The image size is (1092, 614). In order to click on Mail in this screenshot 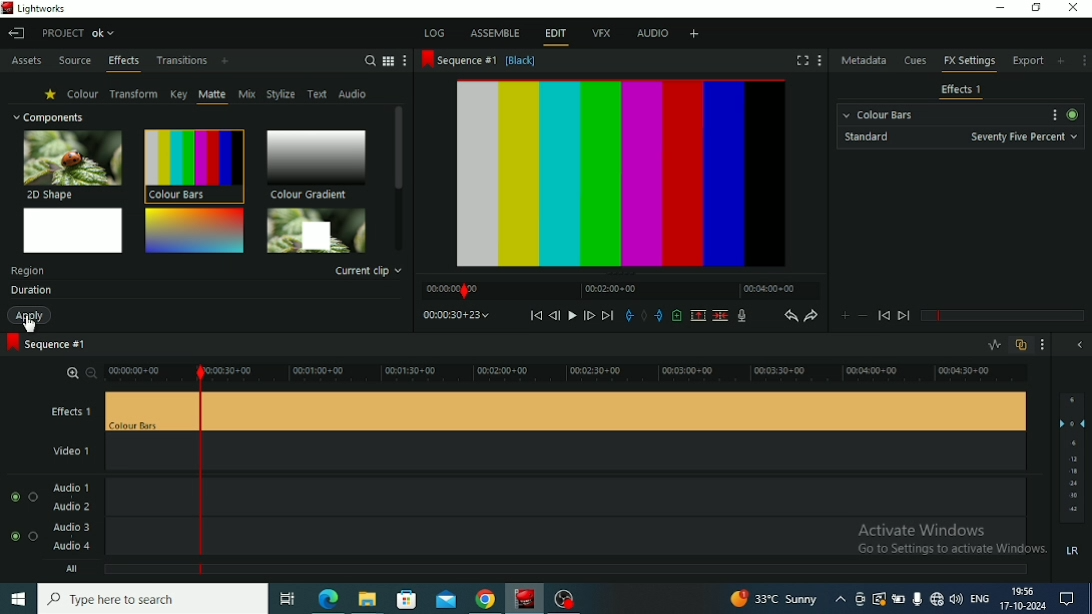, I will do `click(446, 598)`.